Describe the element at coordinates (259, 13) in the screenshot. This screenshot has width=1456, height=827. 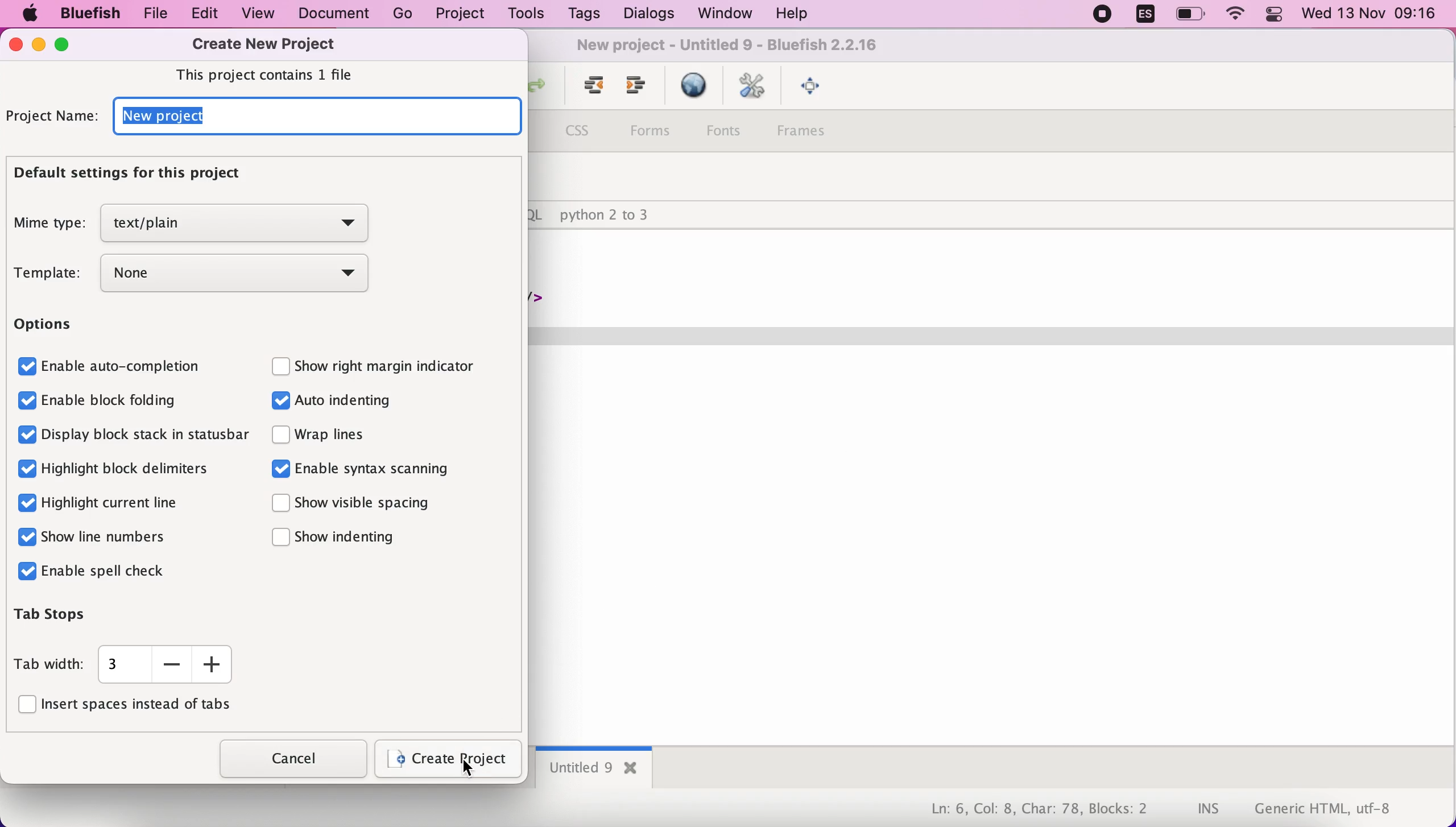
I see `view` at that location.